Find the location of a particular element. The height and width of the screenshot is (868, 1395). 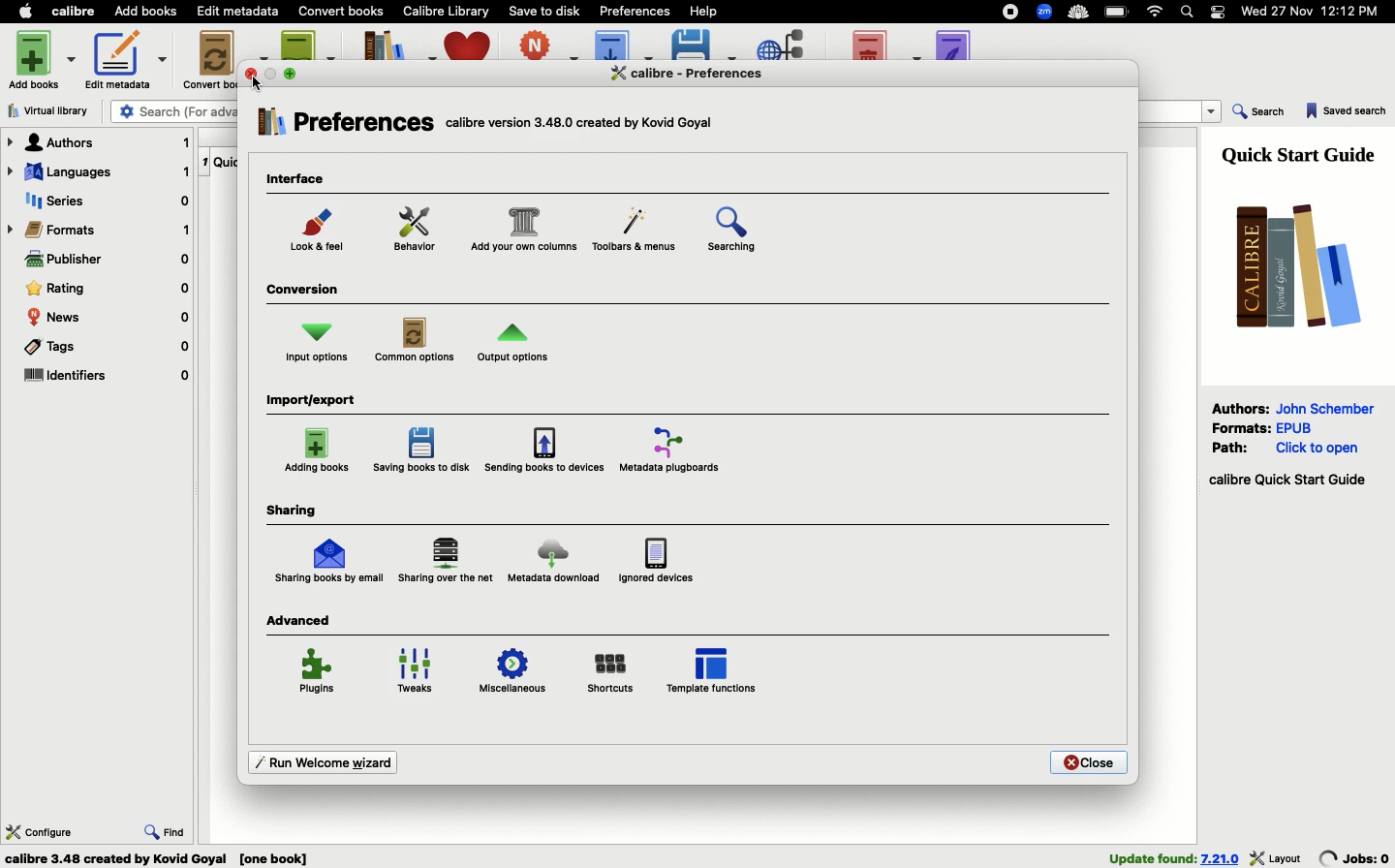

1 is located at coordinates (204, 159).